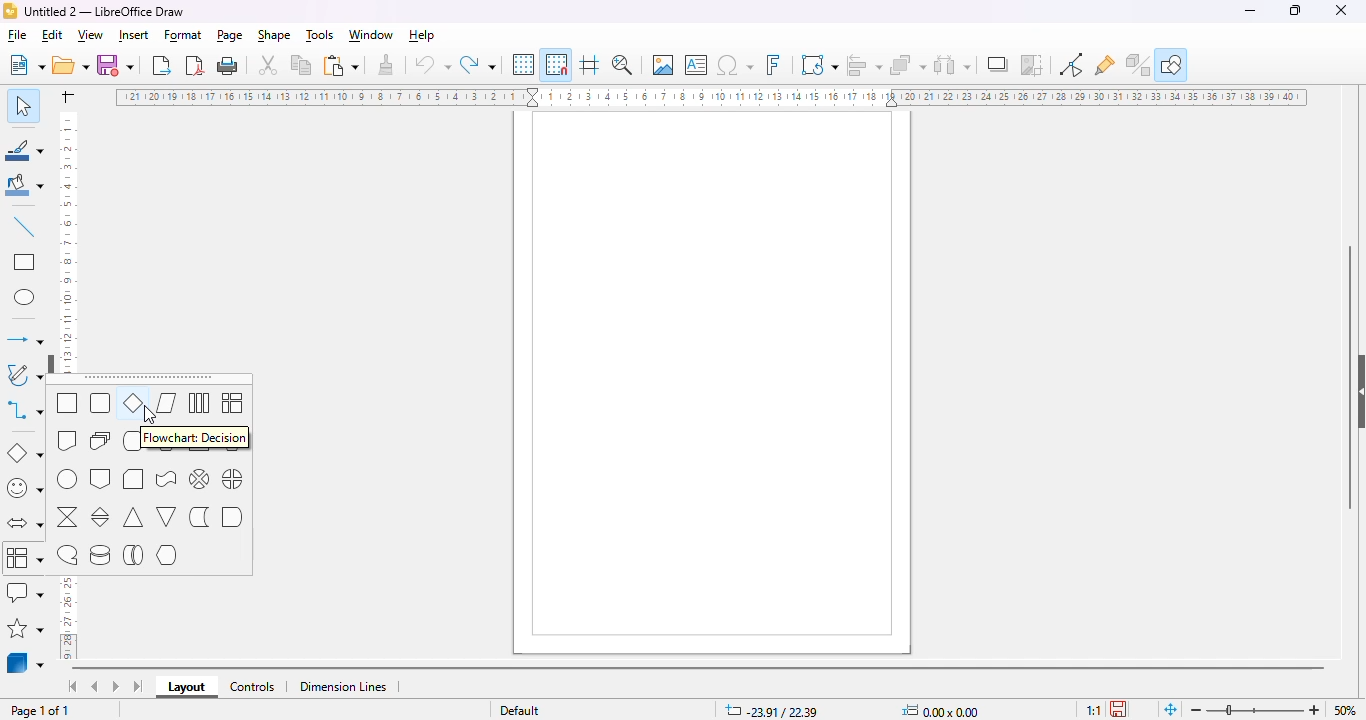  Describe the element at coordinates (696, 65) in the screenshot. I see `insert text box` at that location.